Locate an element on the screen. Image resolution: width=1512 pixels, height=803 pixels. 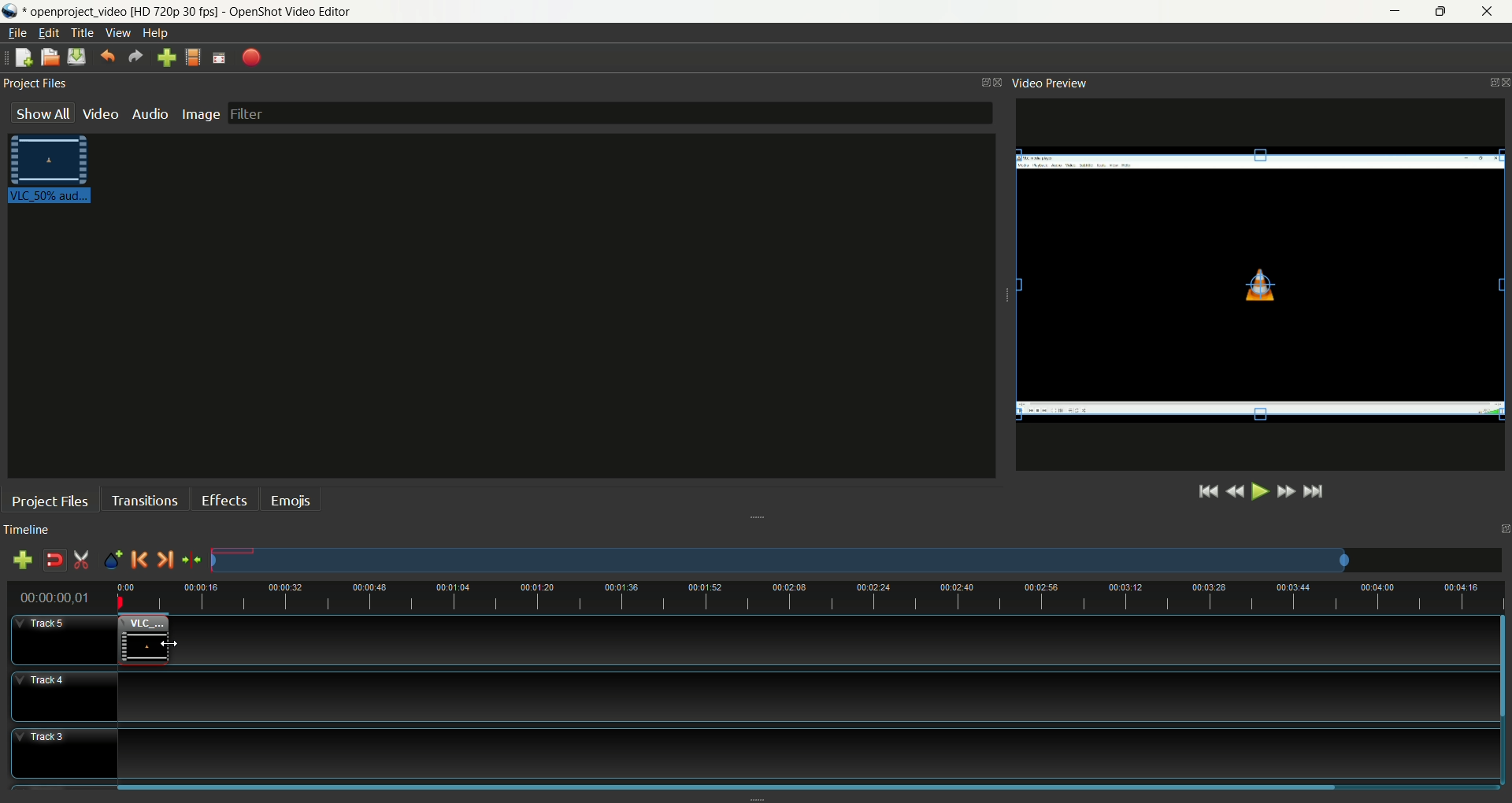
zoom factor is located at coordinates (805, 594).